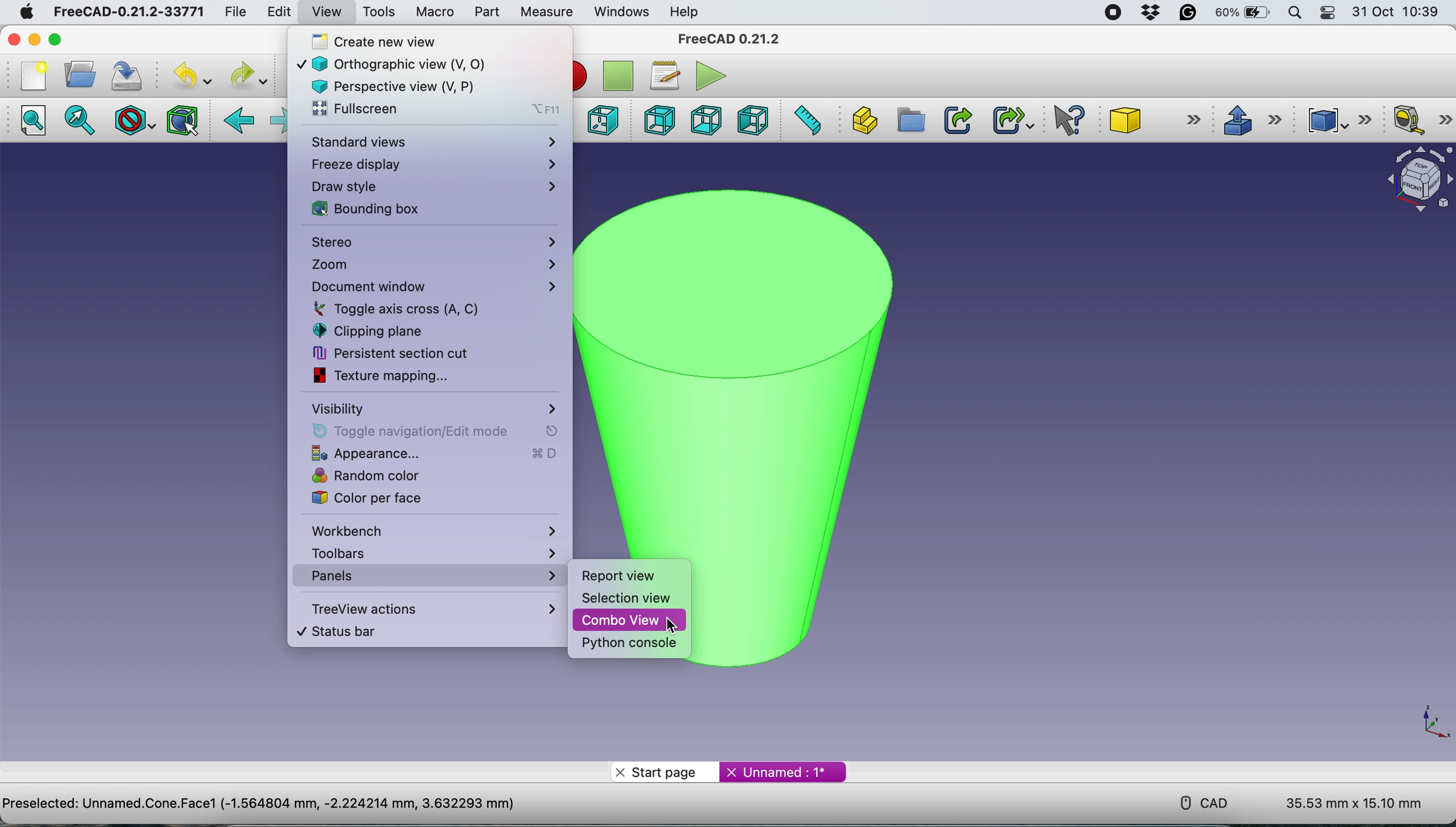  I want to click on freecad-0.21.2-33771, so click(130, 12).